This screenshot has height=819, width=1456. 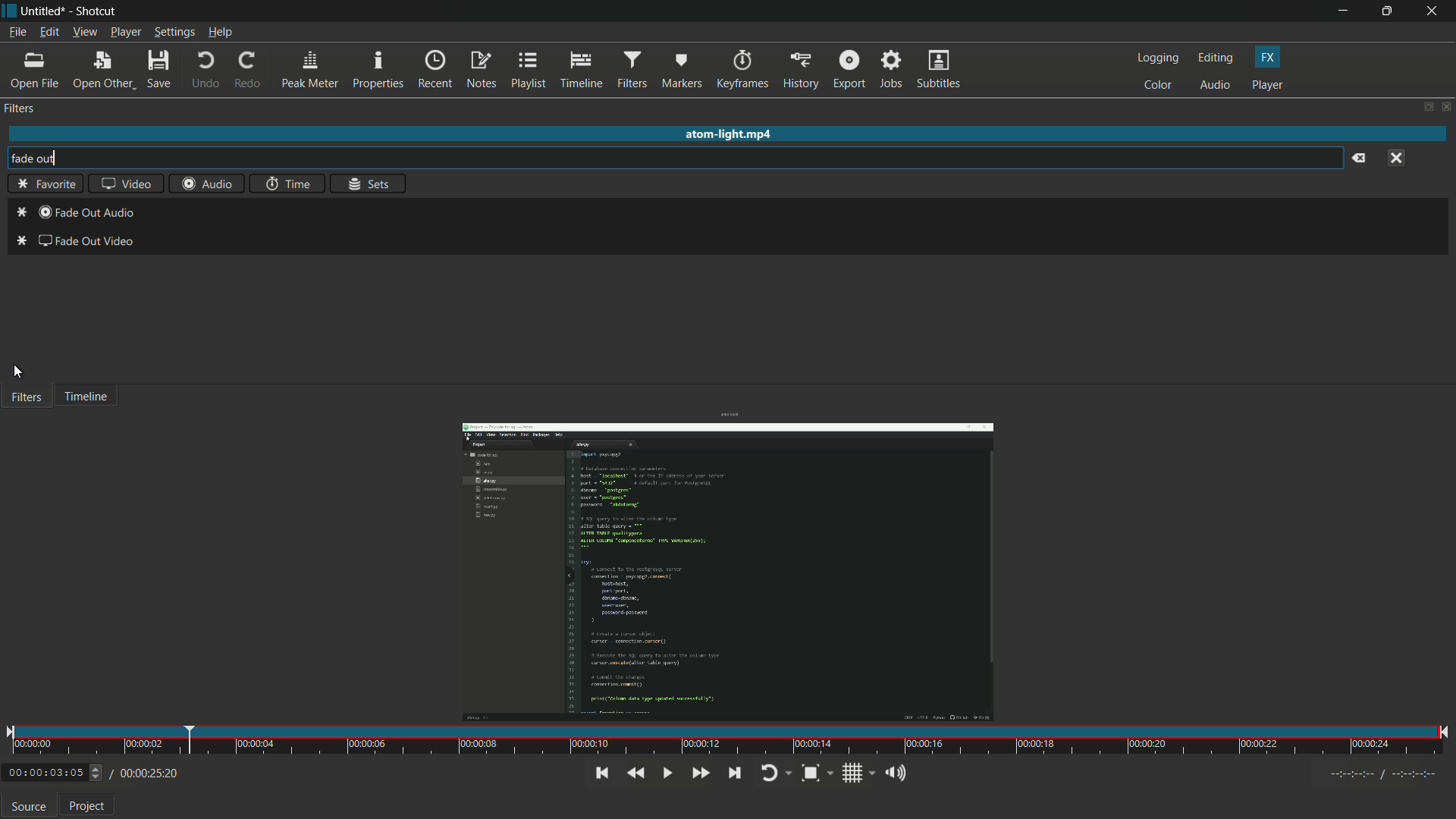 What do you see at coordinates (1267, 56) in the screenshot?
I see `fx` at bounding box center [1267, 56].